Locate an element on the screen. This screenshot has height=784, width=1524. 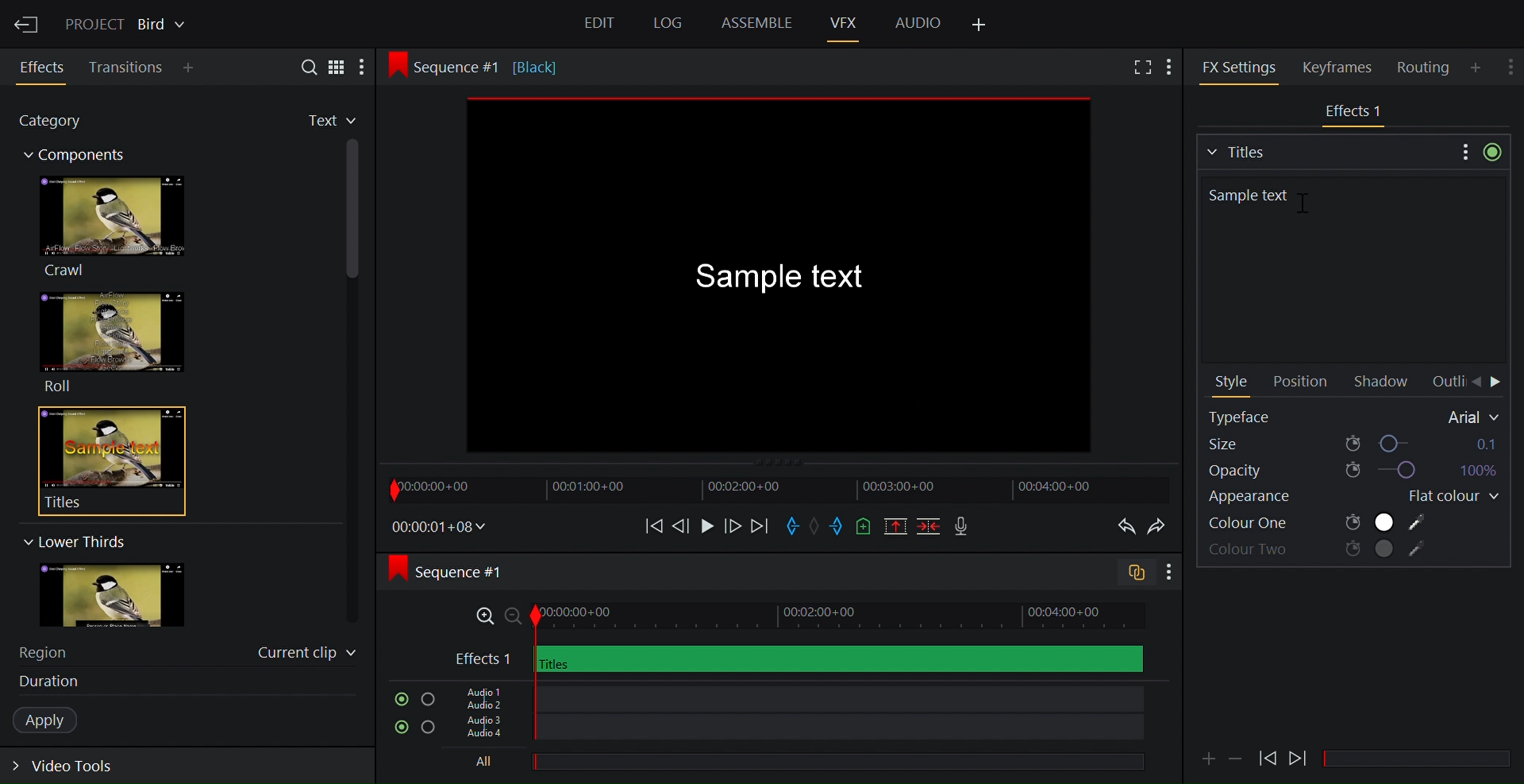
Sequence is located at coordinates (495, 66).